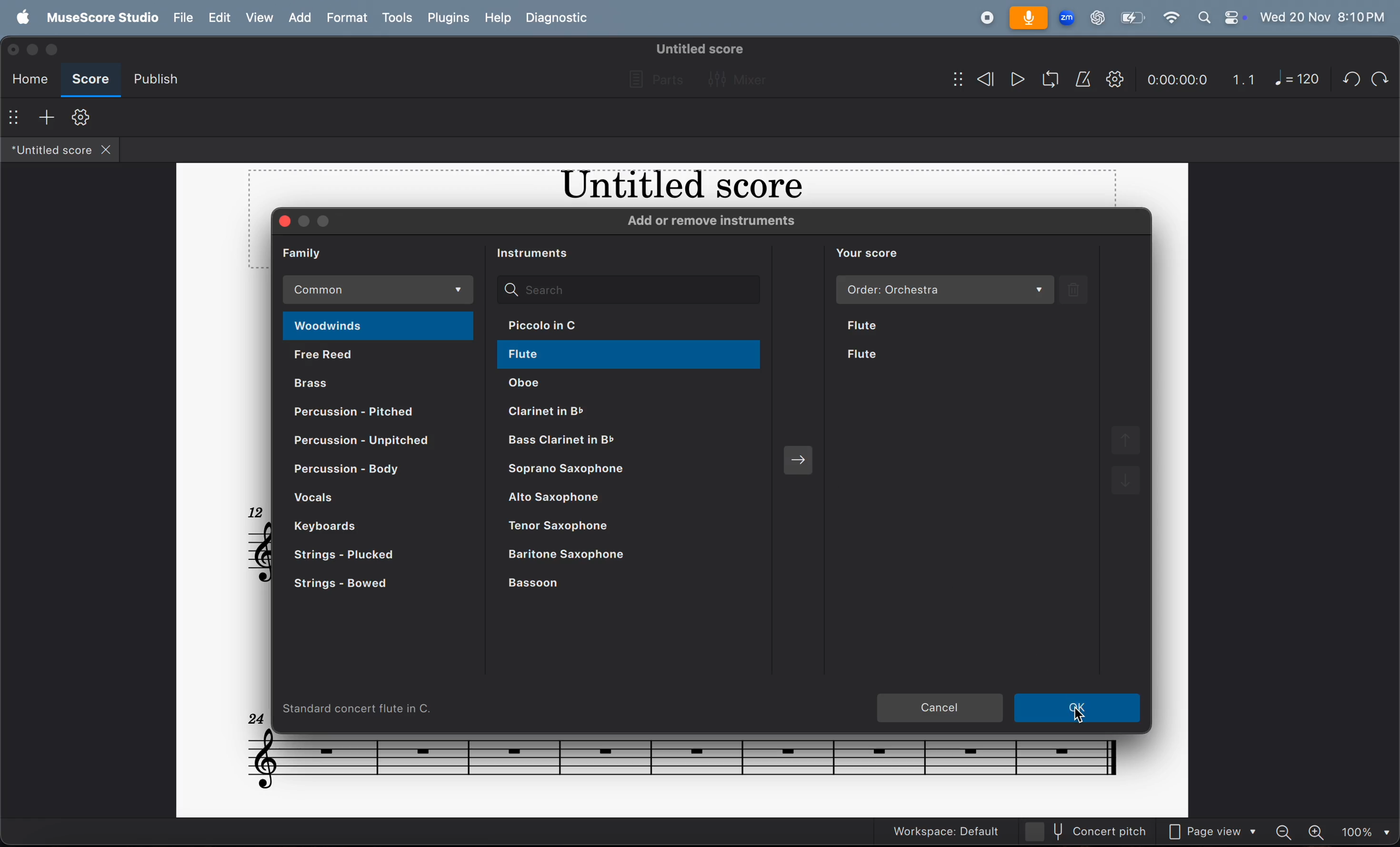  Describe the element at coordinates (982, 19) in the screenshot. I see `record` at that location.